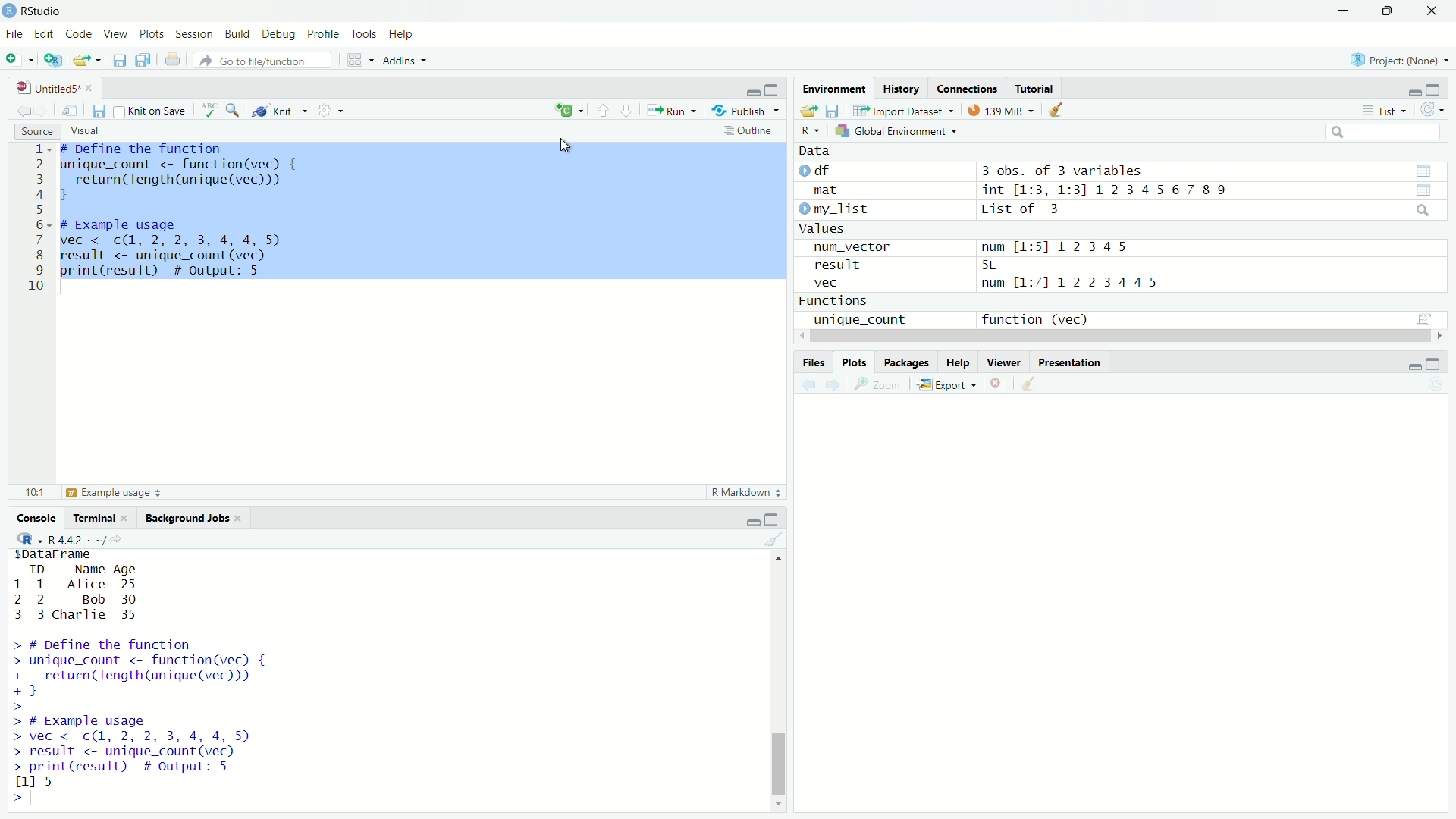 The width and height of the screenshot is (1456, 819). I want to click on new file, so click(13, 58).